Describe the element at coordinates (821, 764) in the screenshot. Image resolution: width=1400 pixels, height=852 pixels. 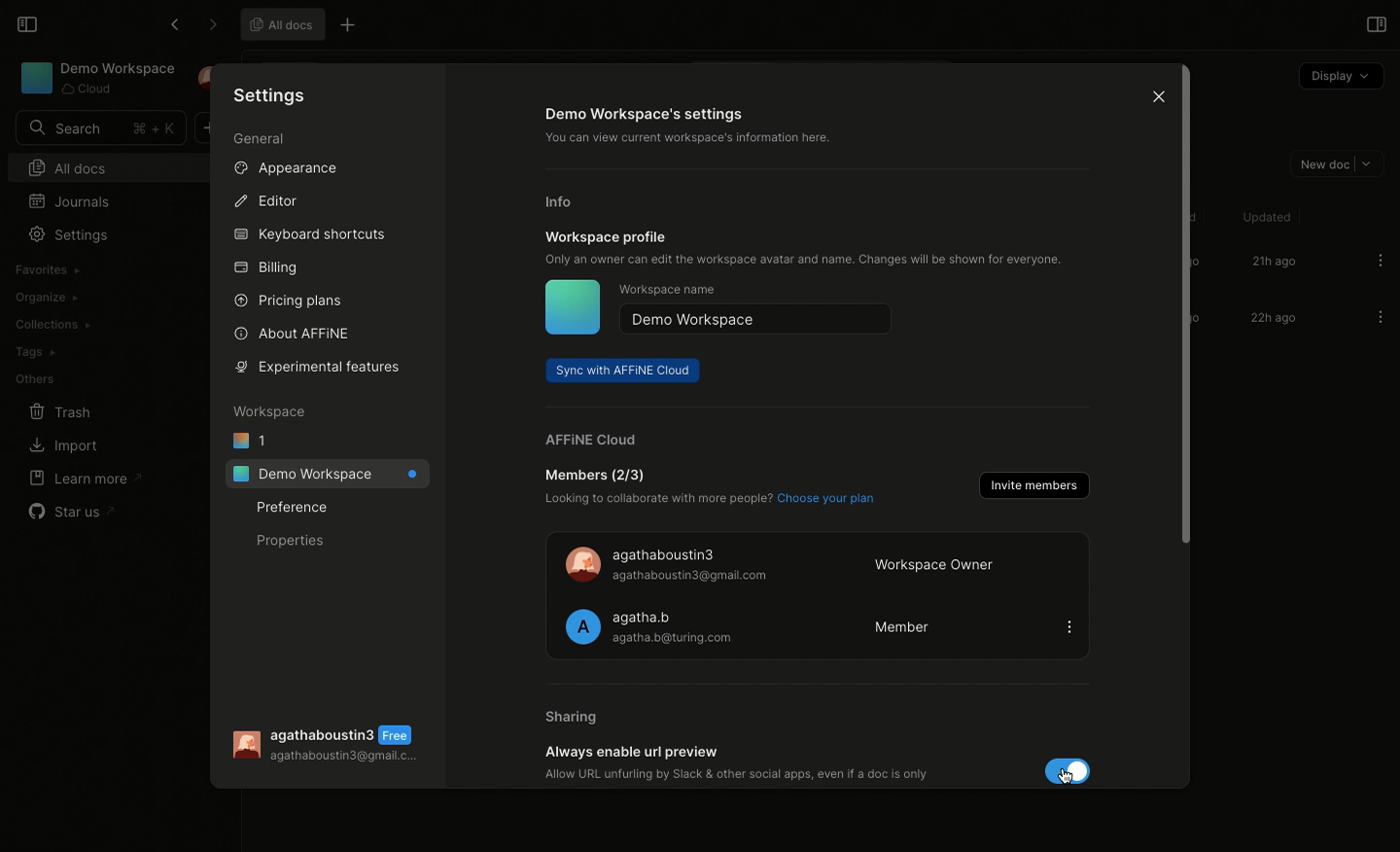
I see `Always enable url preview` at that location.